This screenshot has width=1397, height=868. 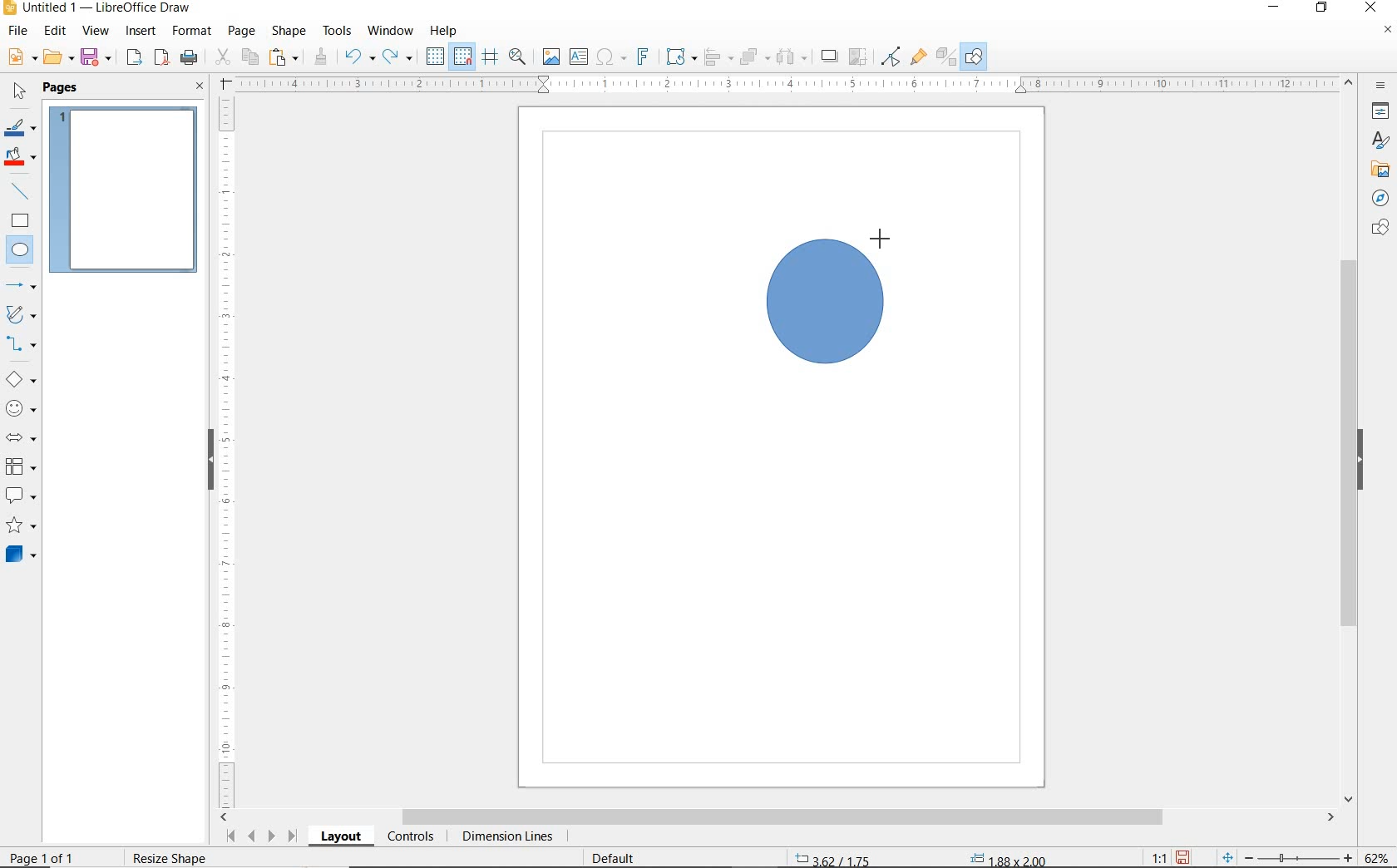 What do you see at coordinates (1370, 6) in the screenshot?
I see `CLOSE` at bounding box center [1370, 6].